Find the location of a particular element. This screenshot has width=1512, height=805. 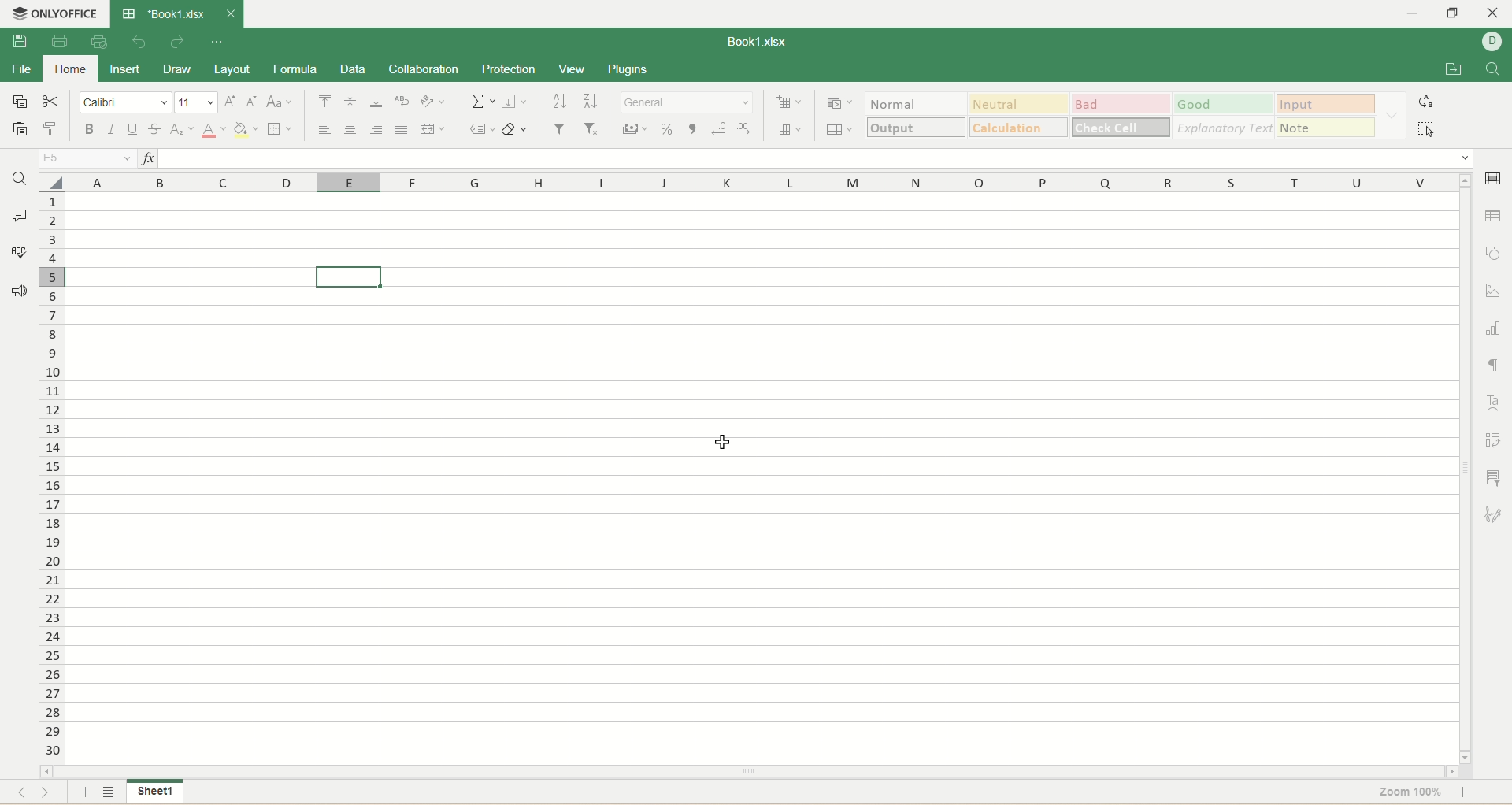

align top is located at coordinates (326, 101).